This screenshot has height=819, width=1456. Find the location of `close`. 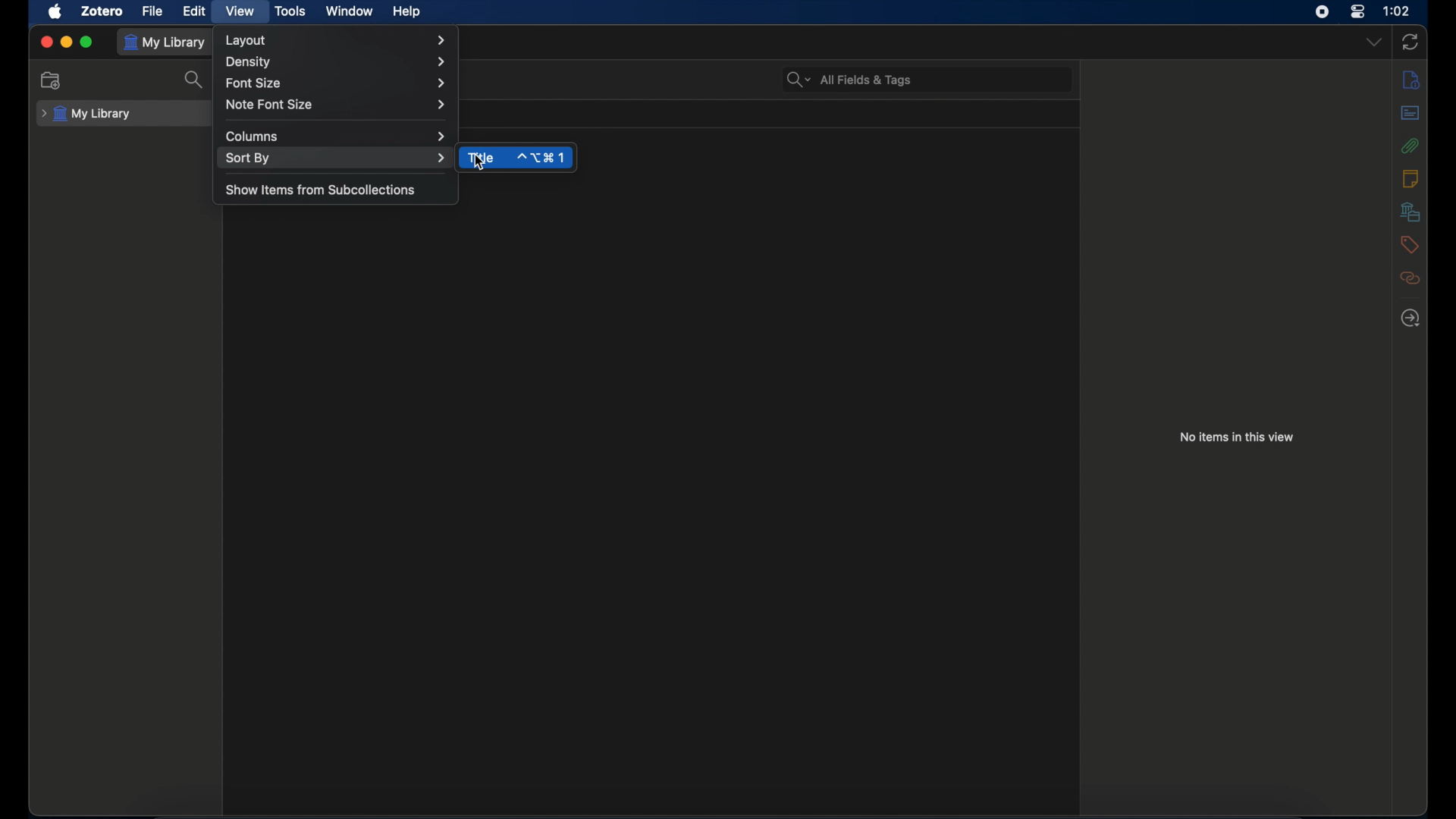

close is located at coordinates (46, 42).